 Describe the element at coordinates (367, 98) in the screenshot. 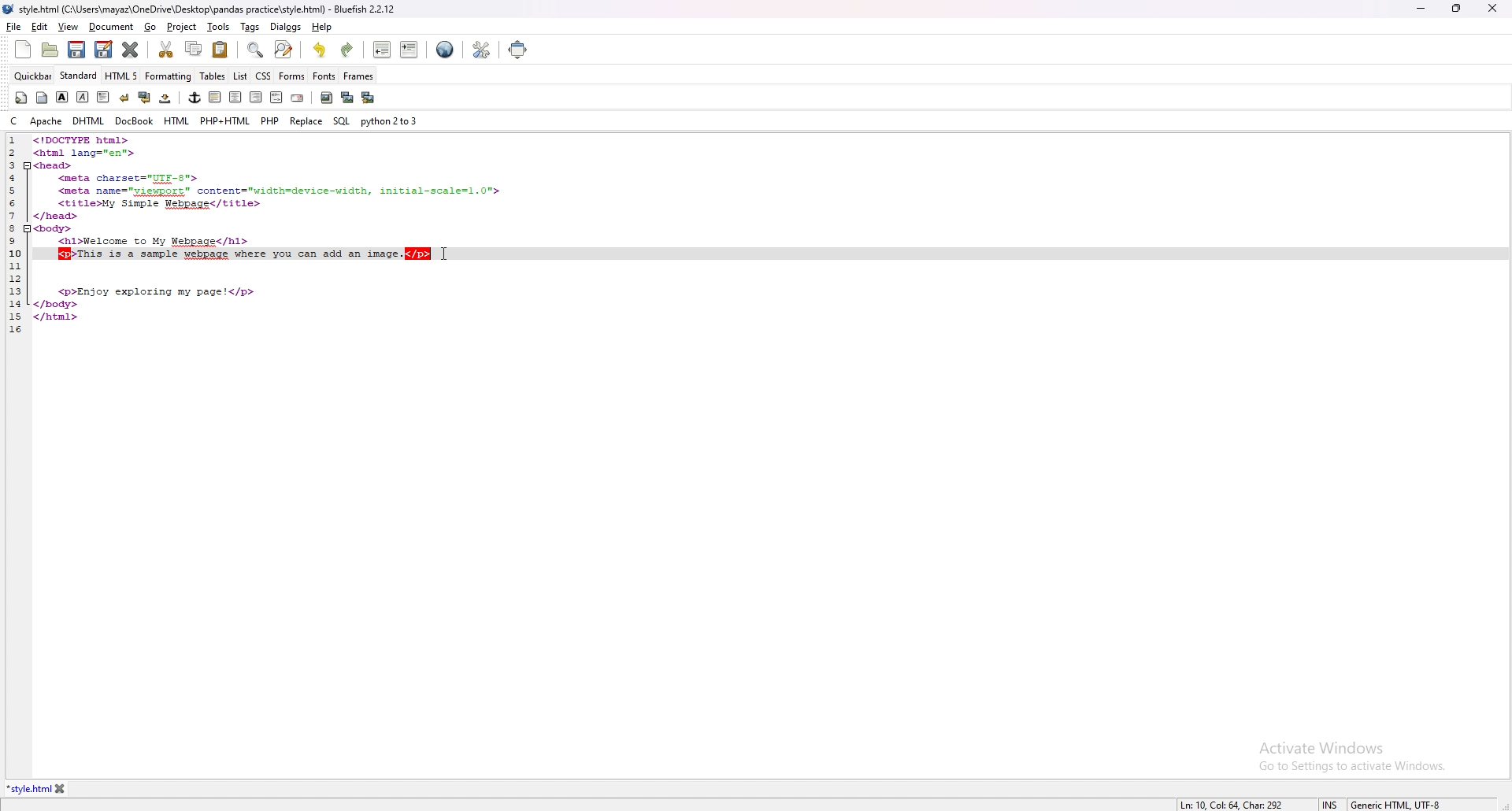

I see `multi thumbnail` at that location.